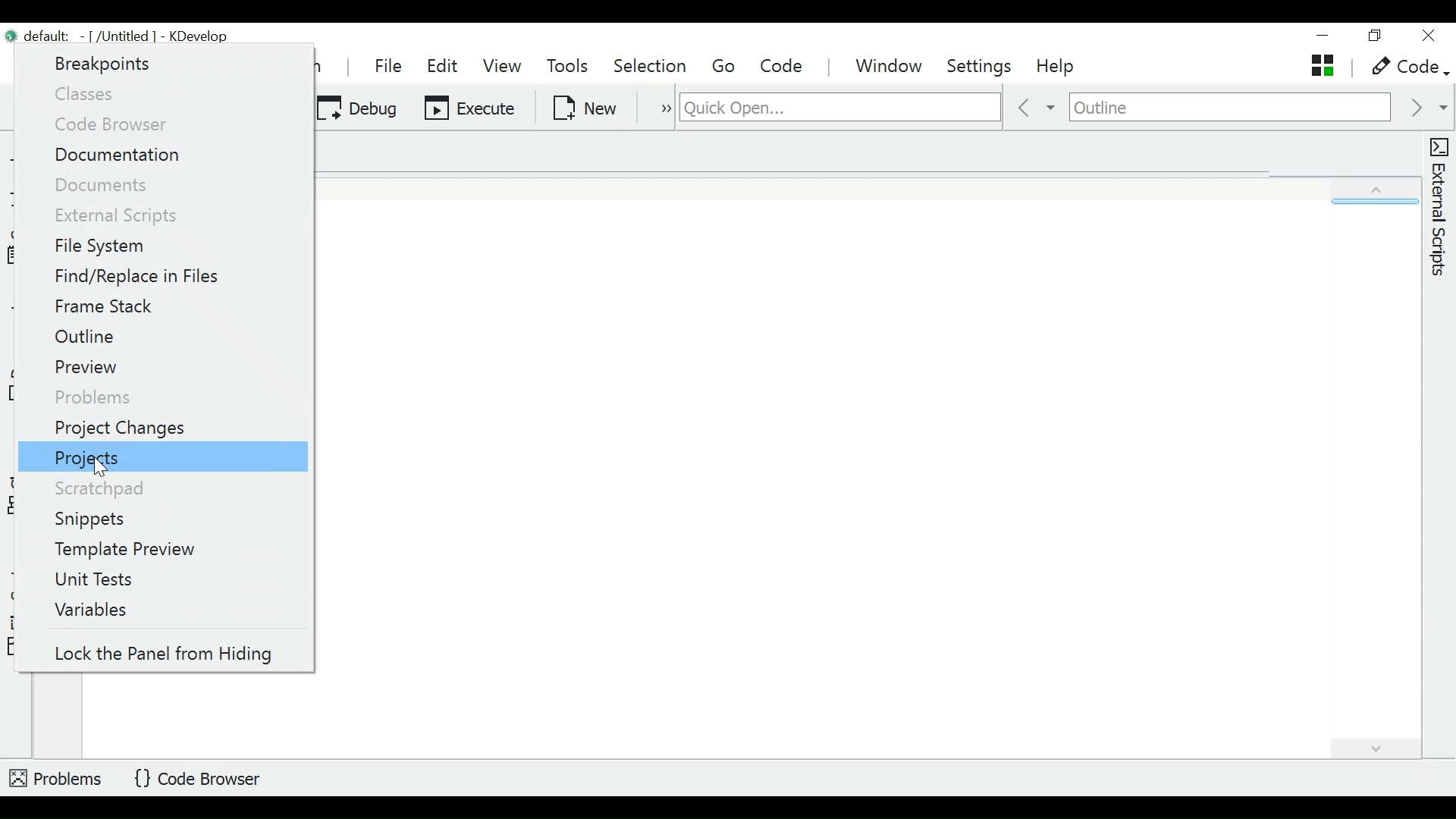 The height and width of the screenshot is (819, 1456). I want to click on more, so click(661, 106).